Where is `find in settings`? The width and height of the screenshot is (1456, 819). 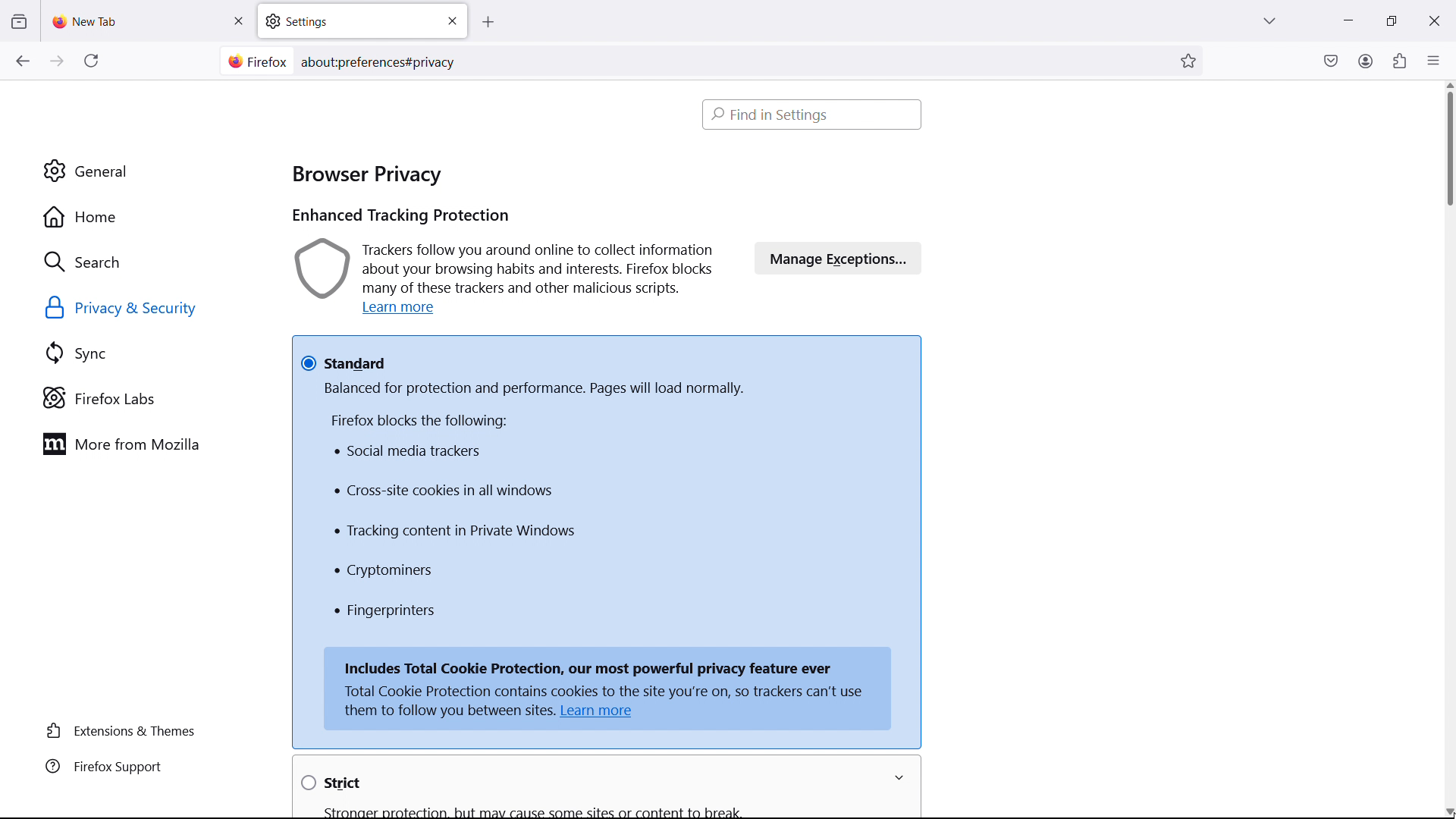 find in settings is located at coordinates (813, 114).